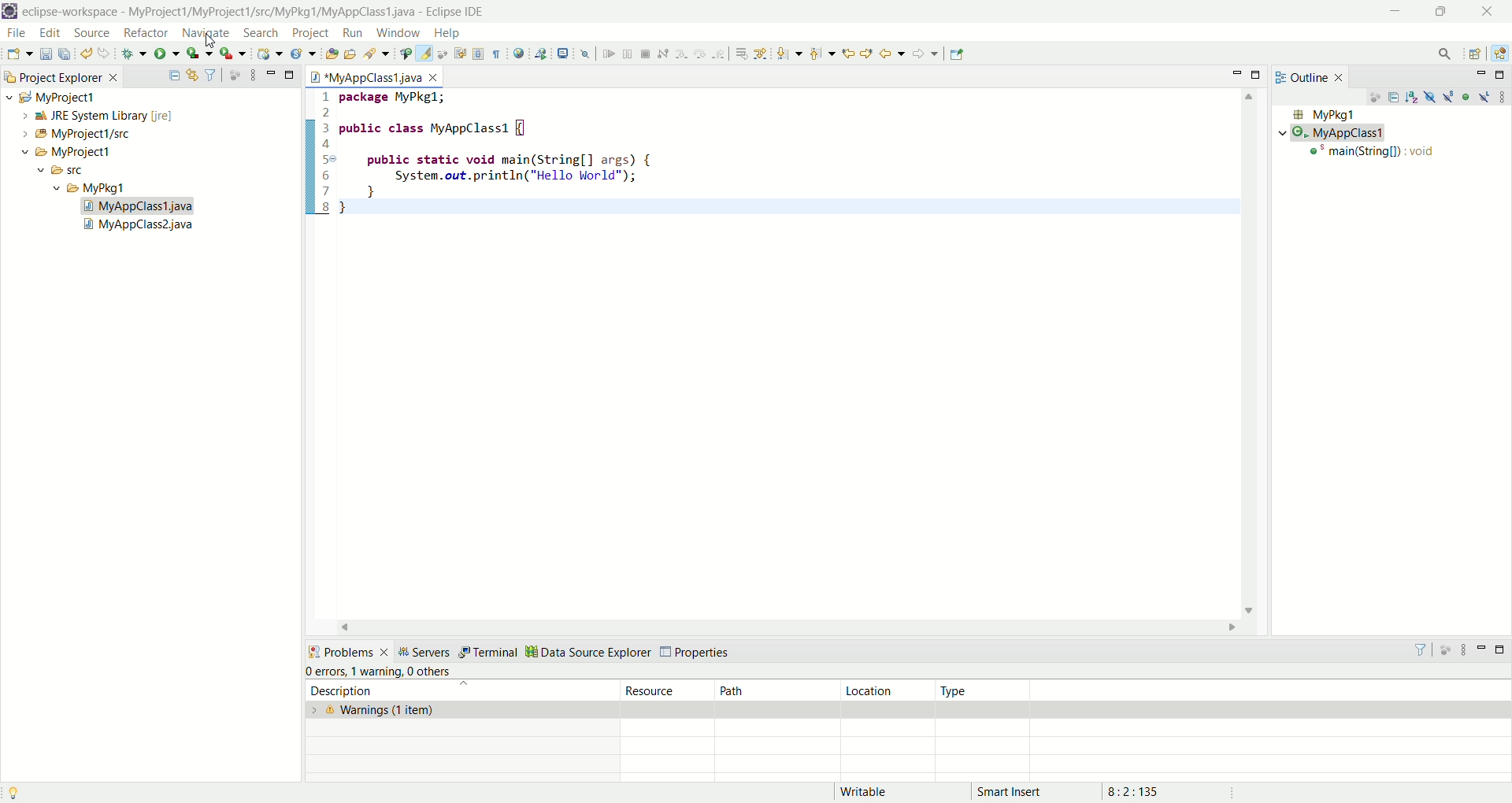 The image size is (1512, 803). Describe the element at coordinates (1021, 791) in the screenshot. I see `smart insert` at that location.